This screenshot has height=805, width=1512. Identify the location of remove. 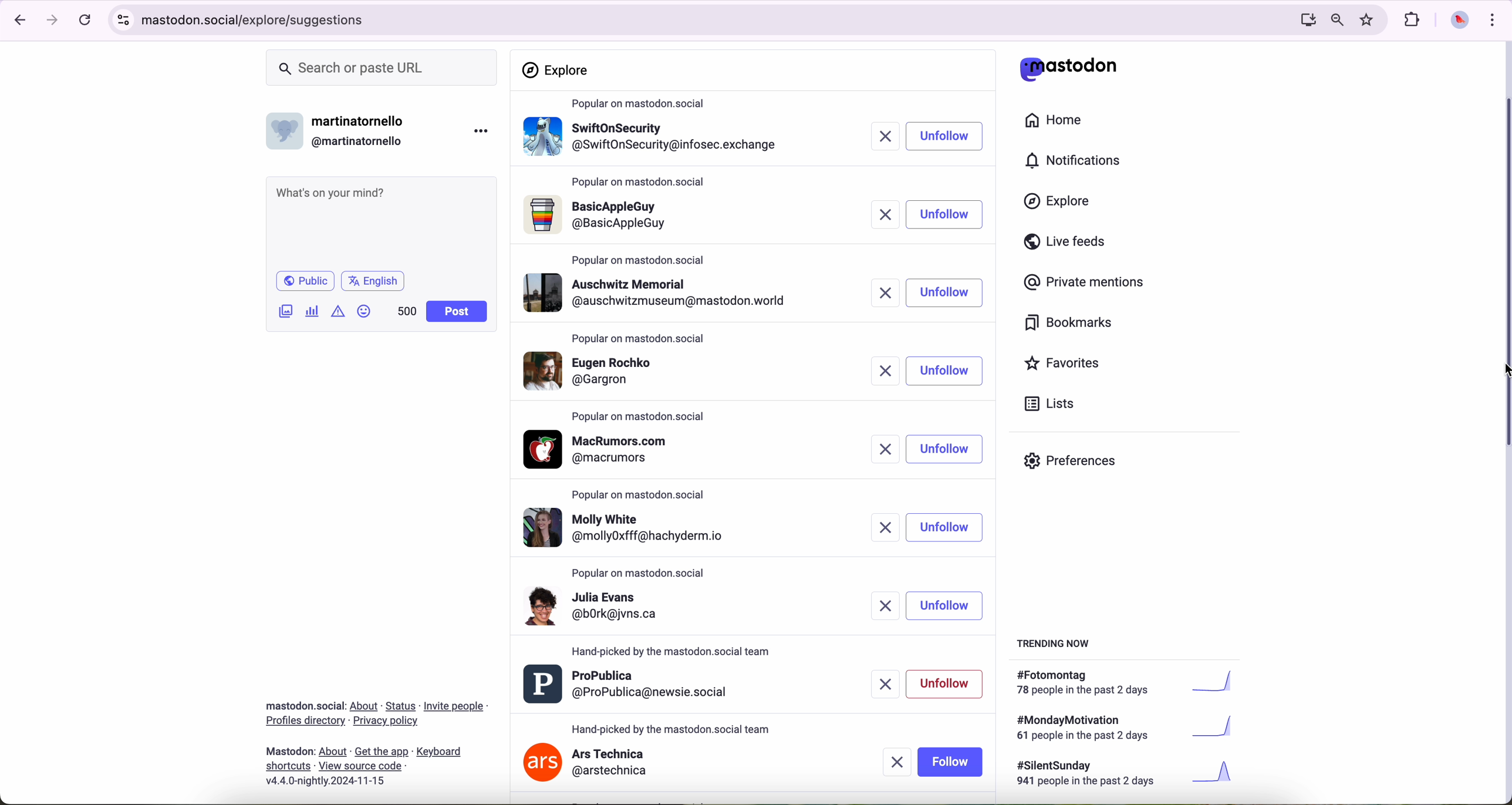
(895, 763).